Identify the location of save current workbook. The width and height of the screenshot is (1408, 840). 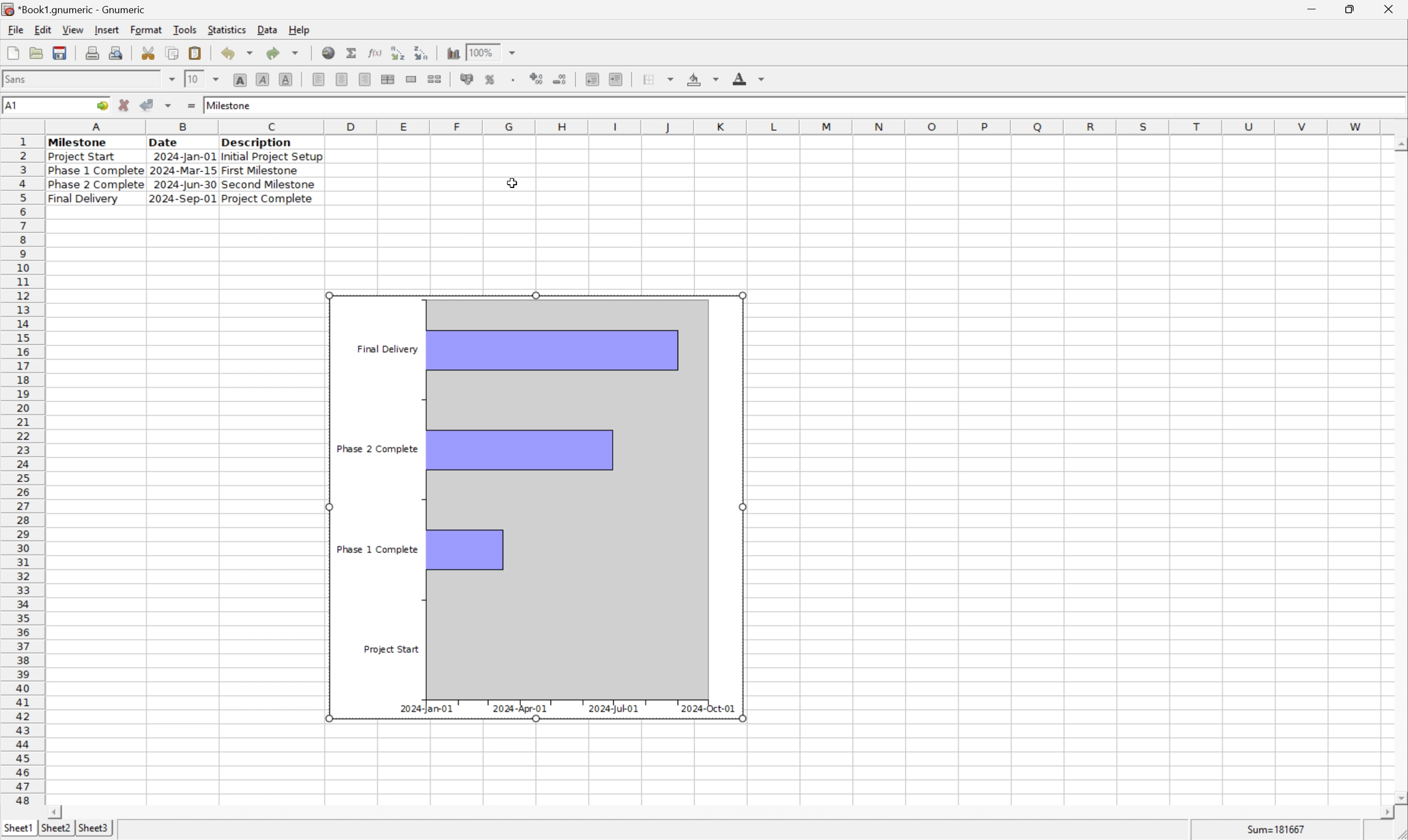
(60, 54).